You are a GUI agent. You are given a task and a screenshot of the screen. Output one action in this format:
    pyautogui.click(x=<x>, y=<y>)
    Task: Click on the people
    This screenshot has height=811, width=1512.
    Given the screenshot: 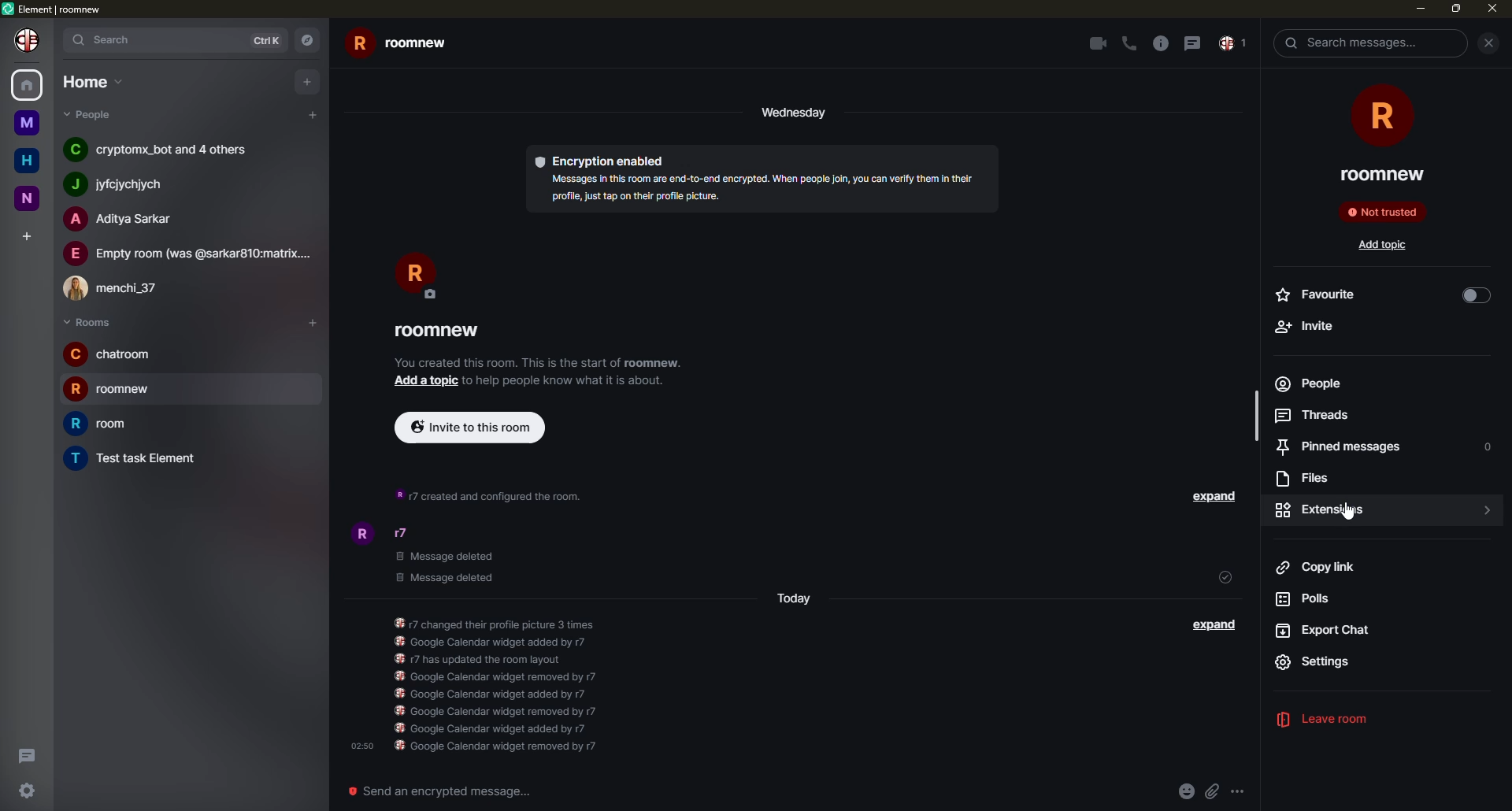 What is the action you would take?
    pyautogui.click(x=1305, y=383)
    